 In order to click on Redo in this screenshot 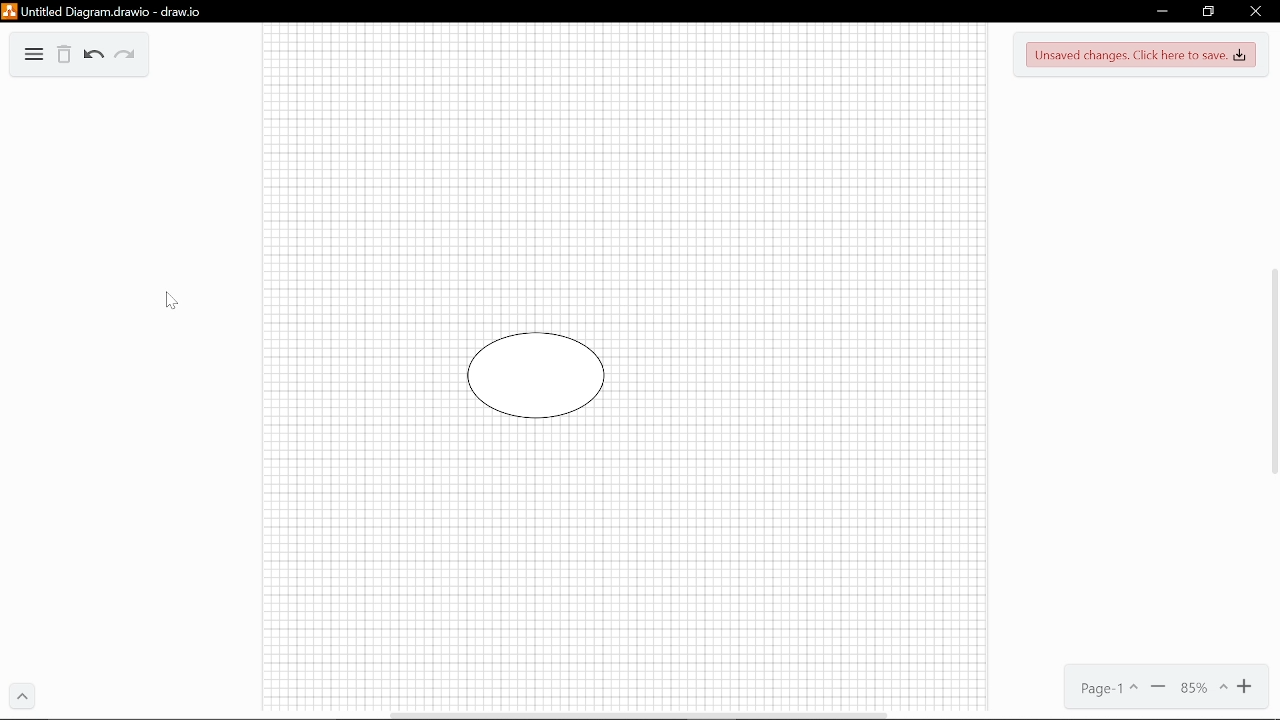, I will do `click(124, 57)`.